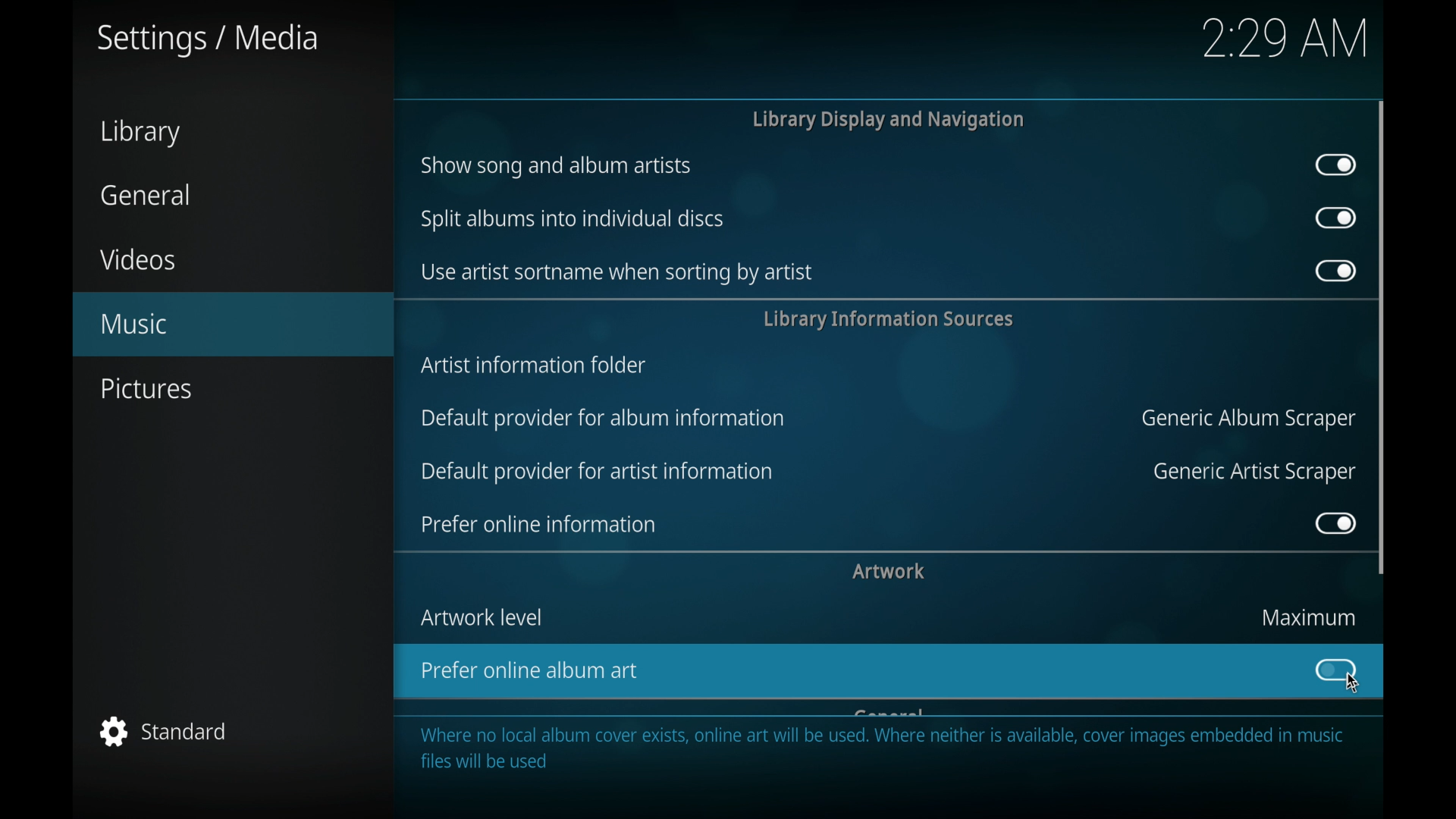 Image resolution: width=1456 pixels, height=819 pixels. I want to click on artist information folder, so click(533, 366).